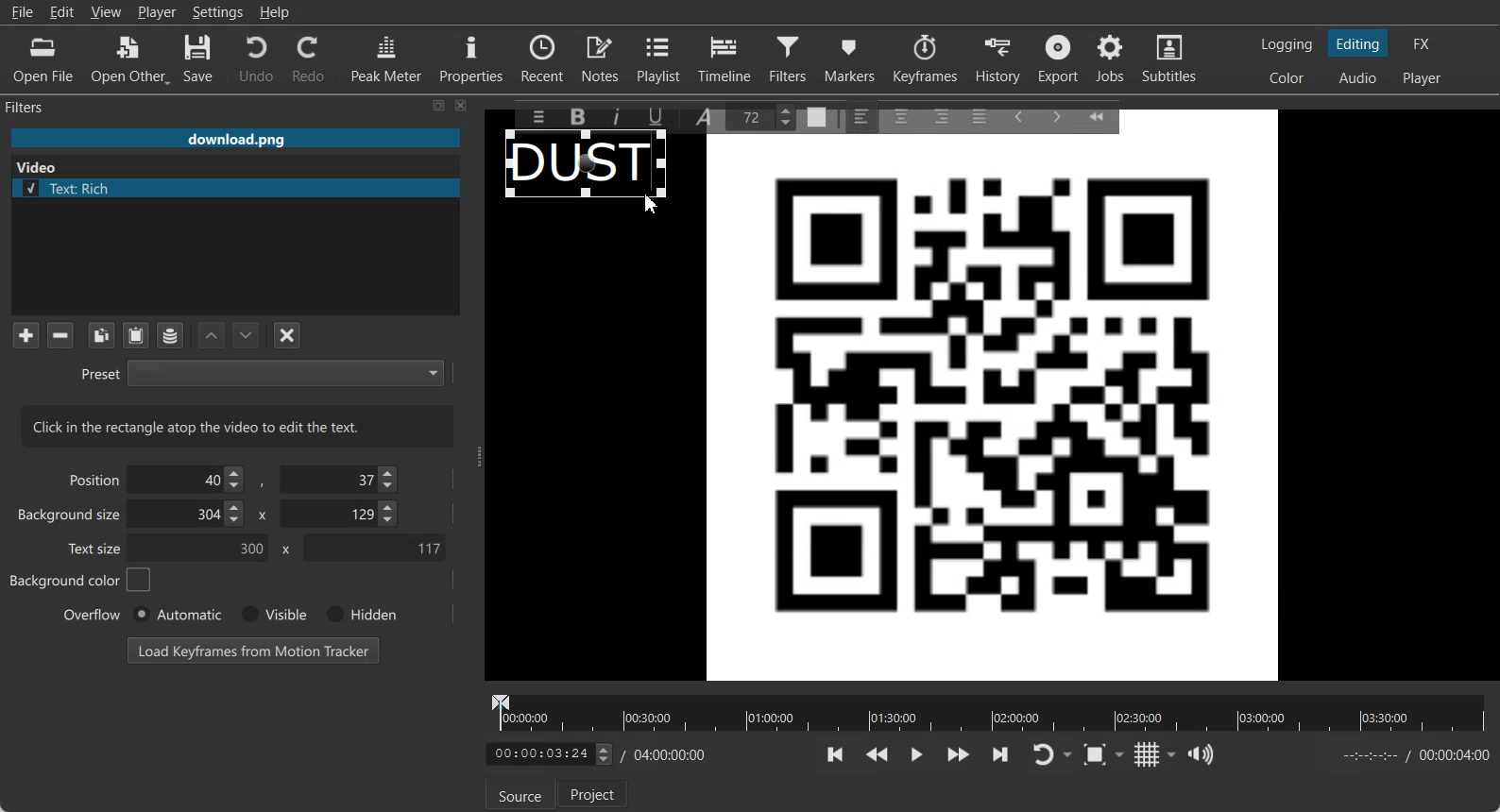 This screenshot has height=812, width=1500. Describe the element at coordinates (177, 614) in the screenshot. I see `Automatic` at that location.